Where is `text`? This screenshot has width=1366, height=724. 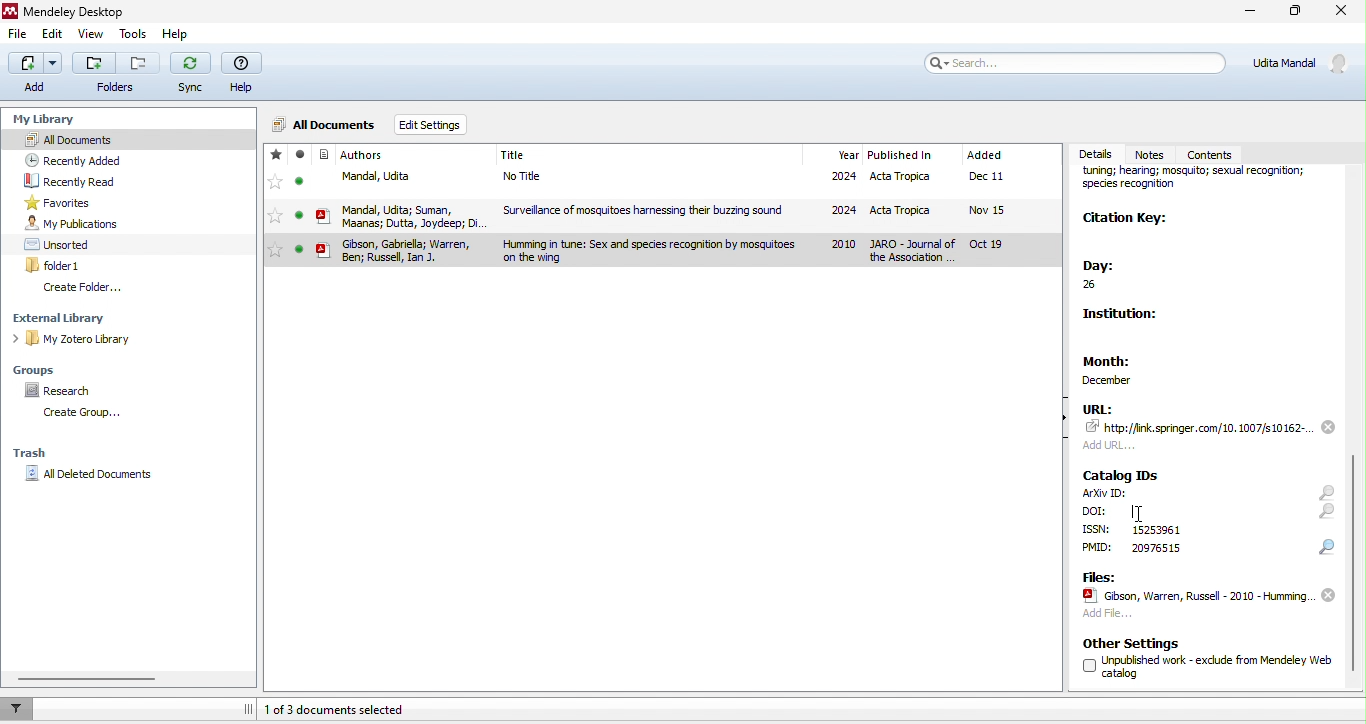 text is located at coordinates (1156, 529).